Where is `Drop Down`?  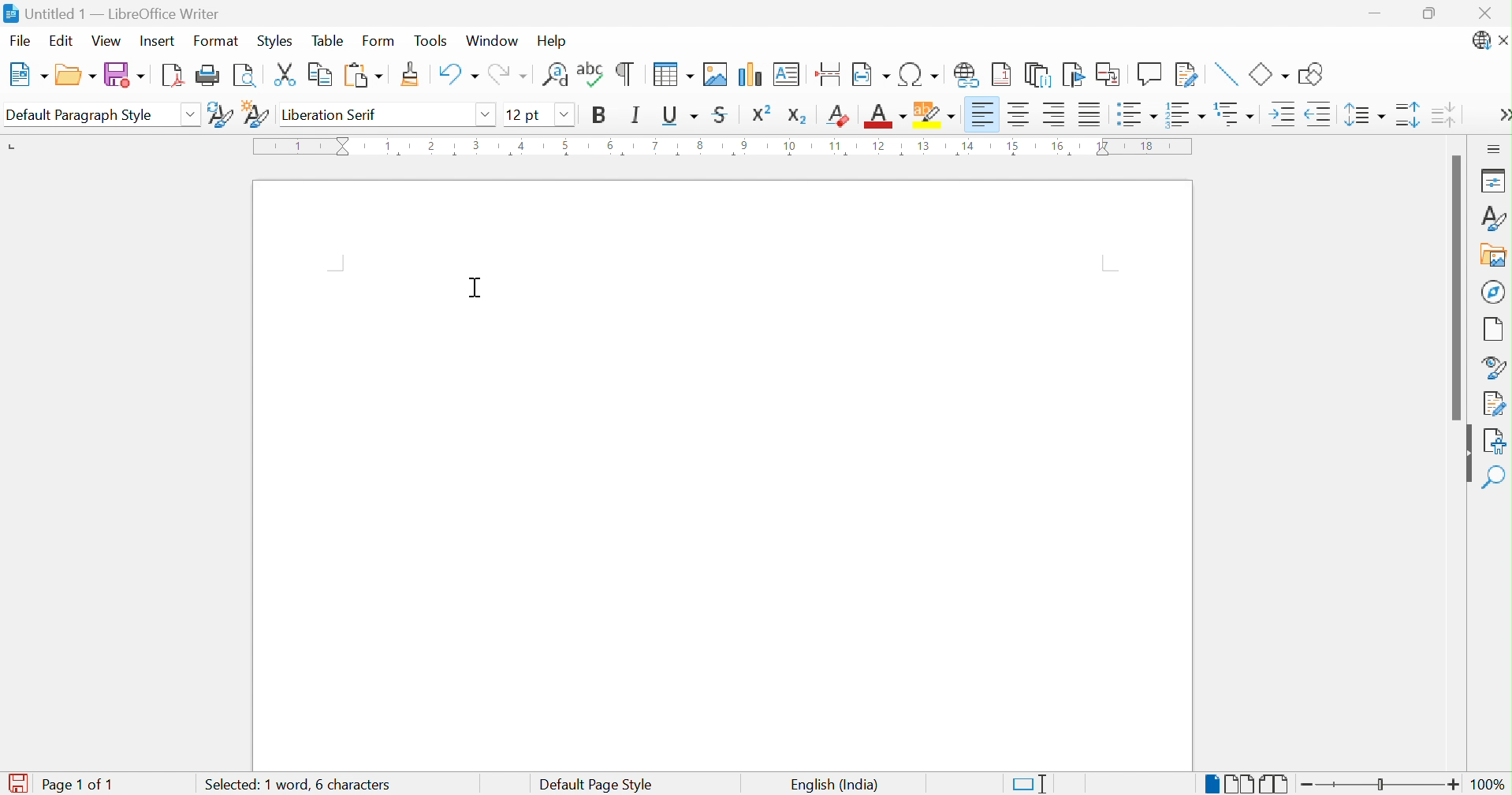 Drop Down is located at coordinates (191, 114).